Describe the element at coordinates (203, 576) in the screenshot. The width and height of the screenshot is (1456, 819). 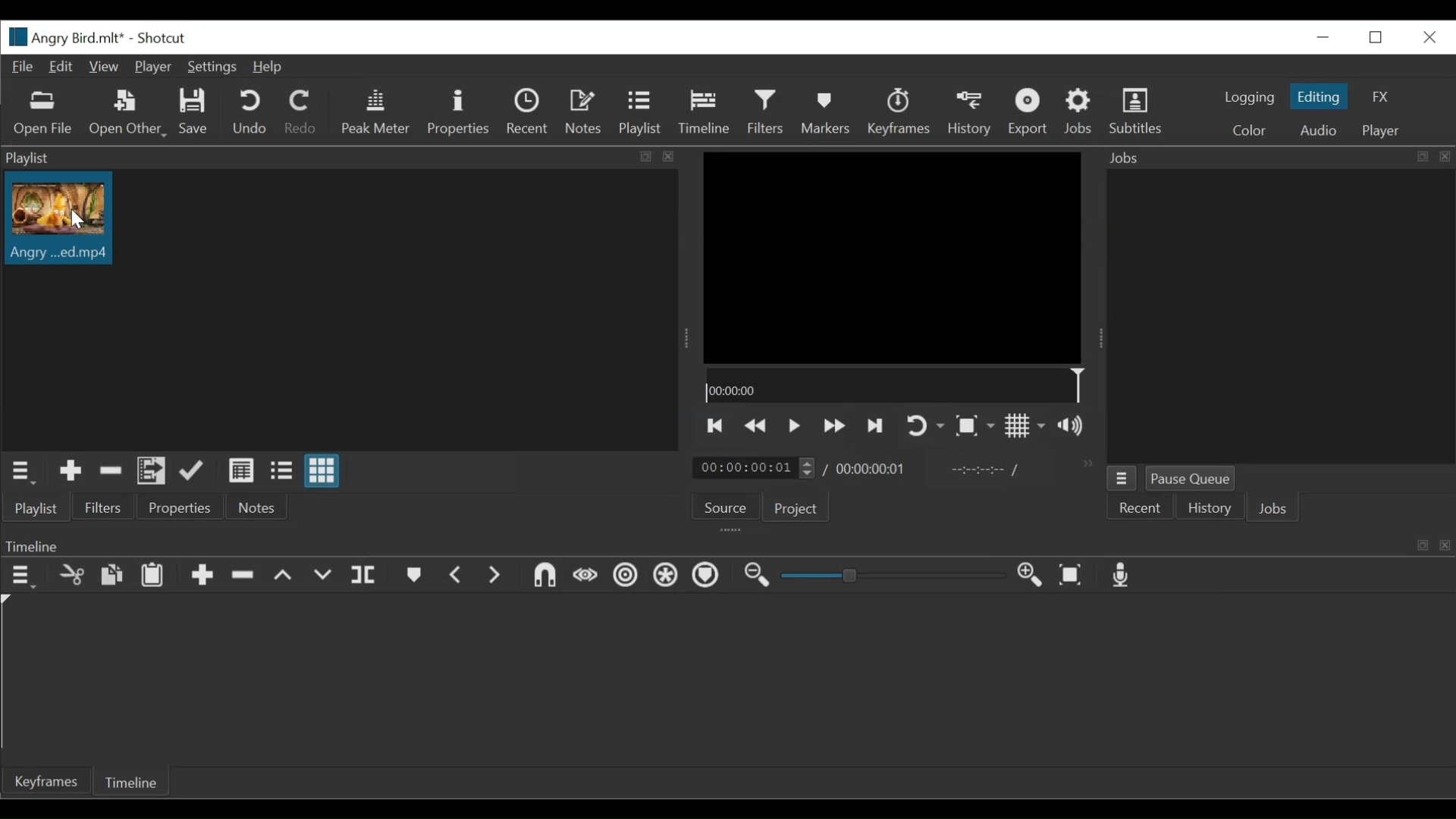
I see `Append` at that location.